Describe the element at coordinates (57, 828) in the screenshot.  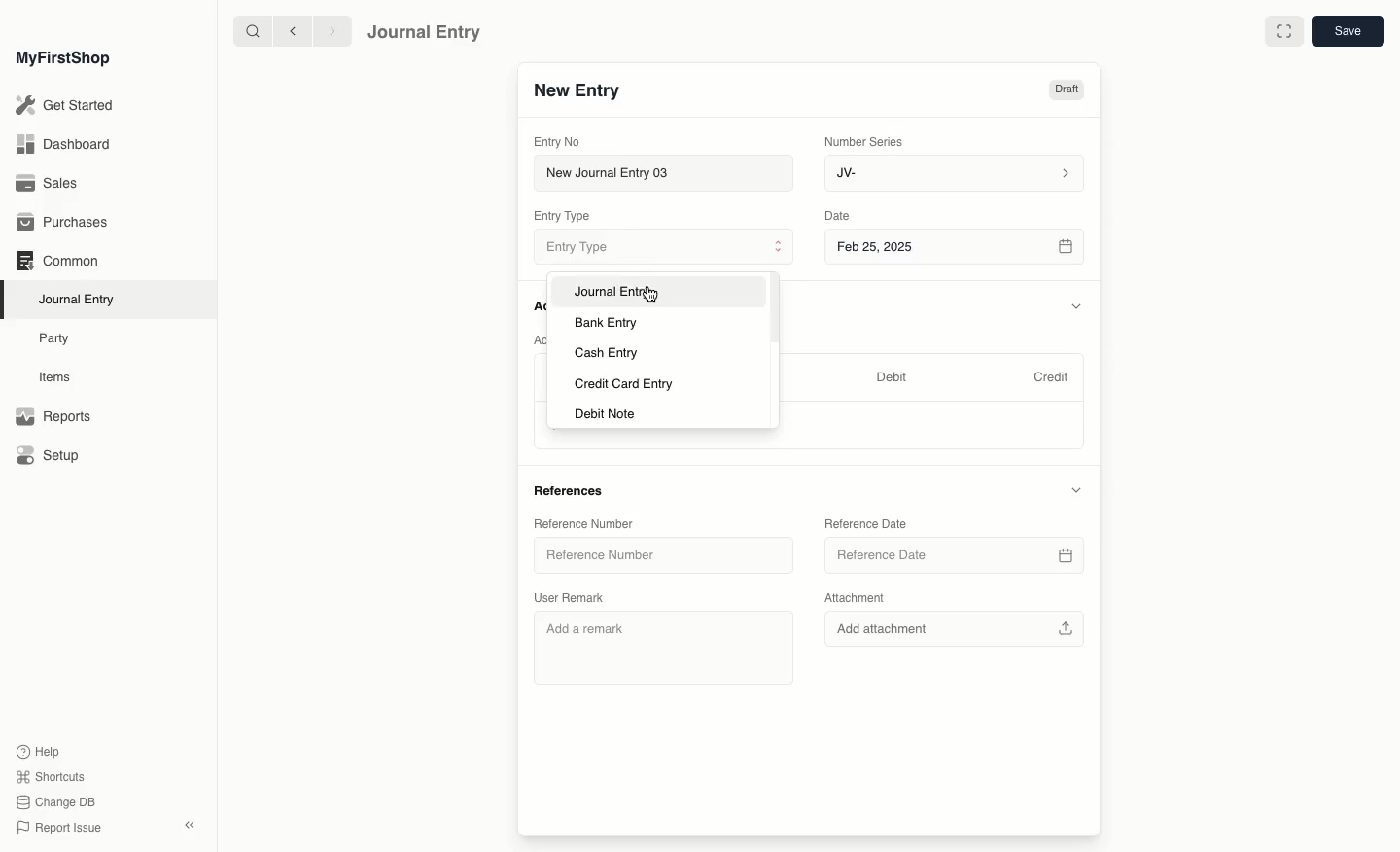
I see `Report Issue` at that location.